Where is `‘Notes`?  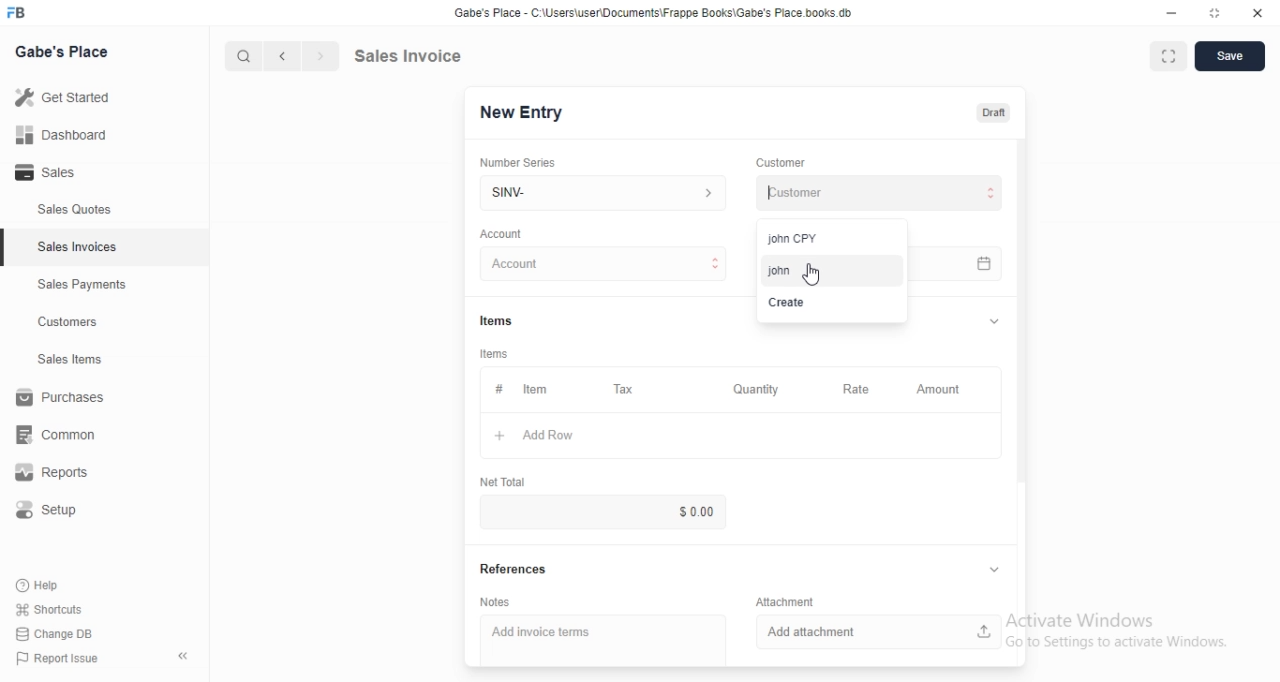 ‘Notes is located at coordinates (494, 603).